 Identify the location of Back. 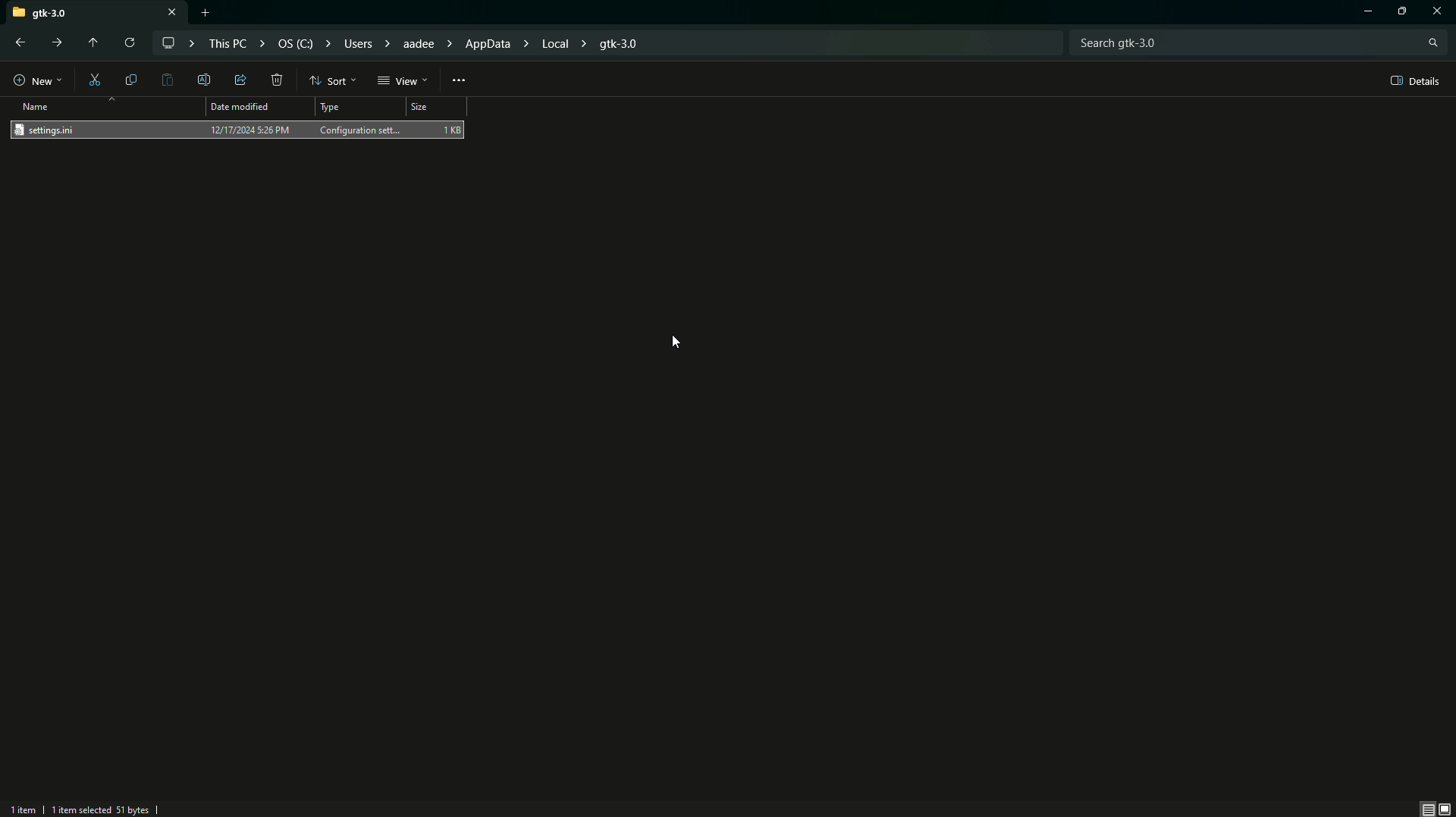
(17, 44).